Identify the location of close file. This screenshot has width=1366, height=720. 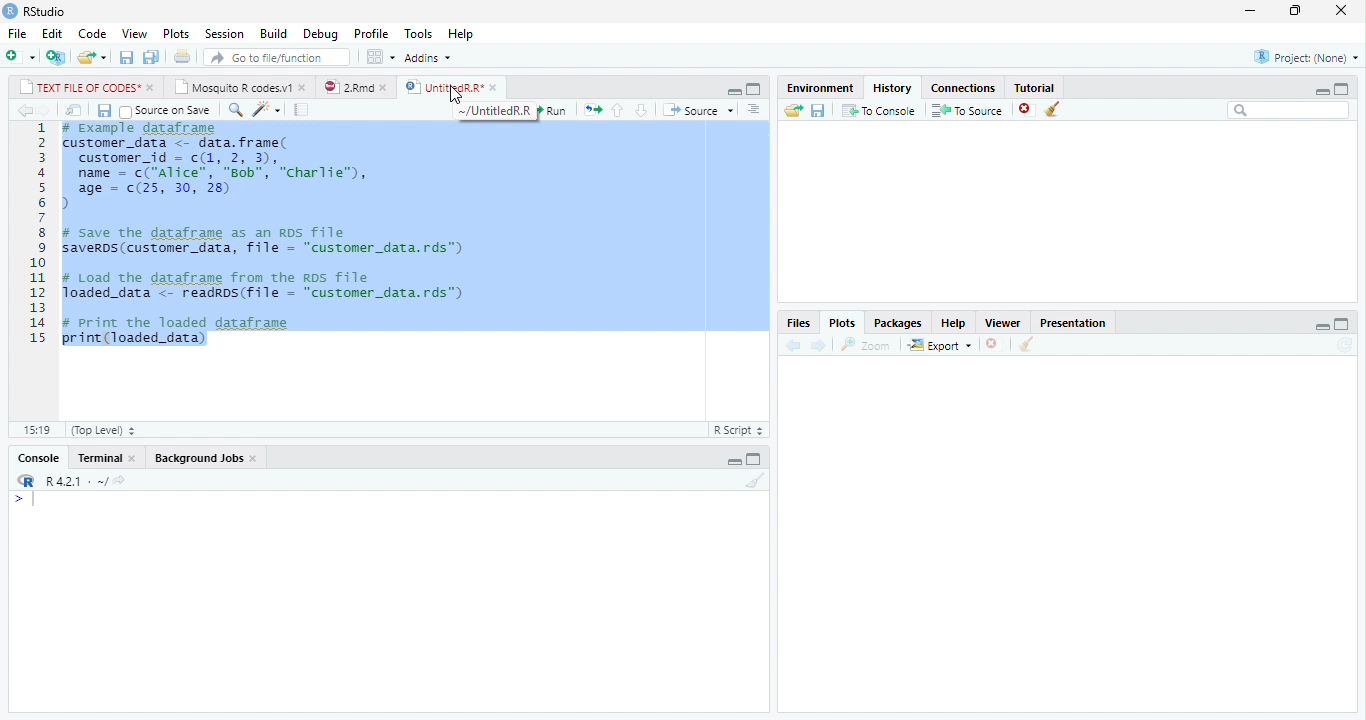
(1028, 109).